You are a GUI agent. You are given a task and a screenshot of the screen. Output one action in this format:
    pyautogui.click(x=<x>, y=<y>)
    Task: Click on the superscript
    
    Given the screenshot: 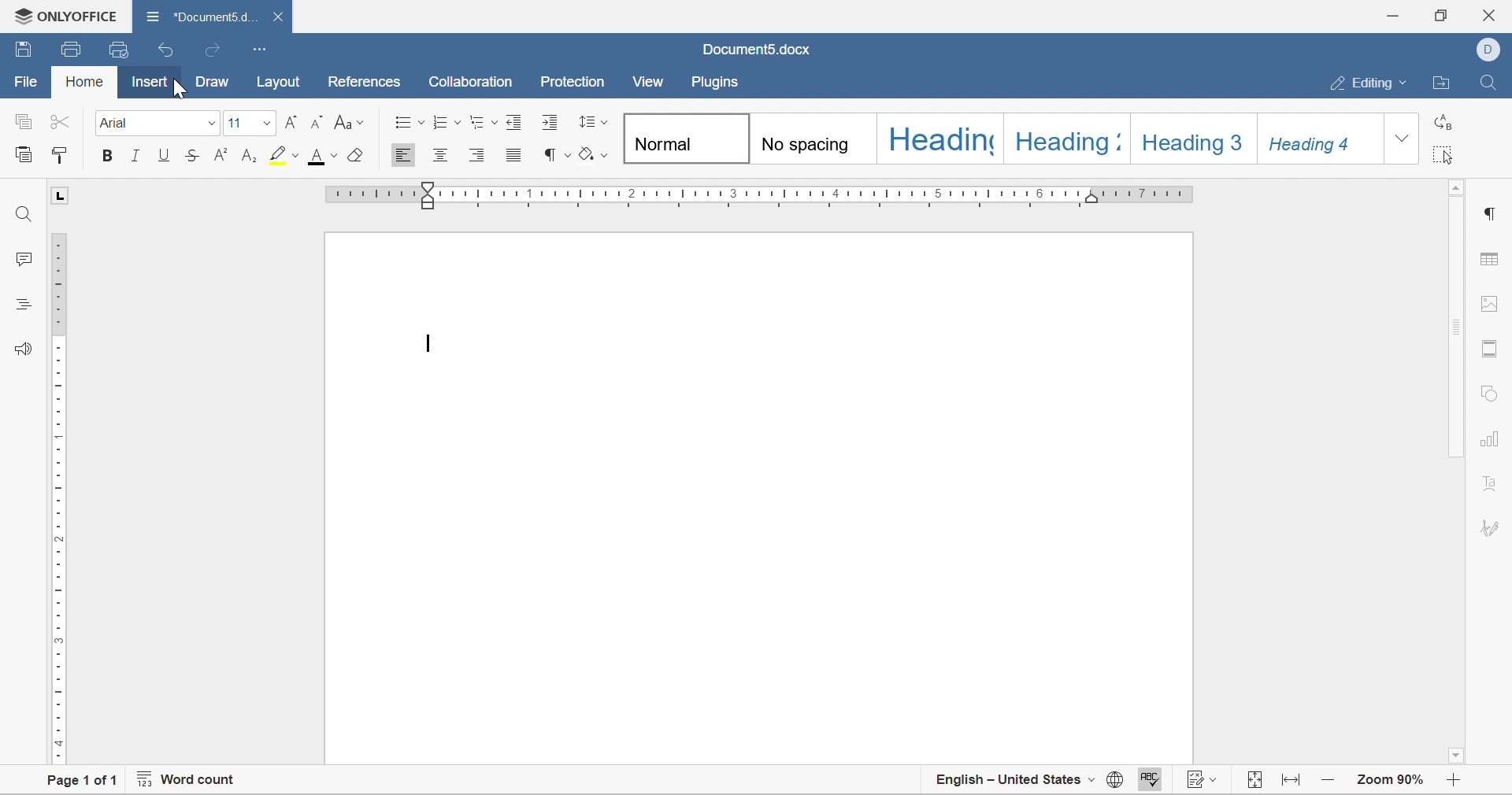 What is the action you would take?
    pyautogui.click(x=224, y=155)
    